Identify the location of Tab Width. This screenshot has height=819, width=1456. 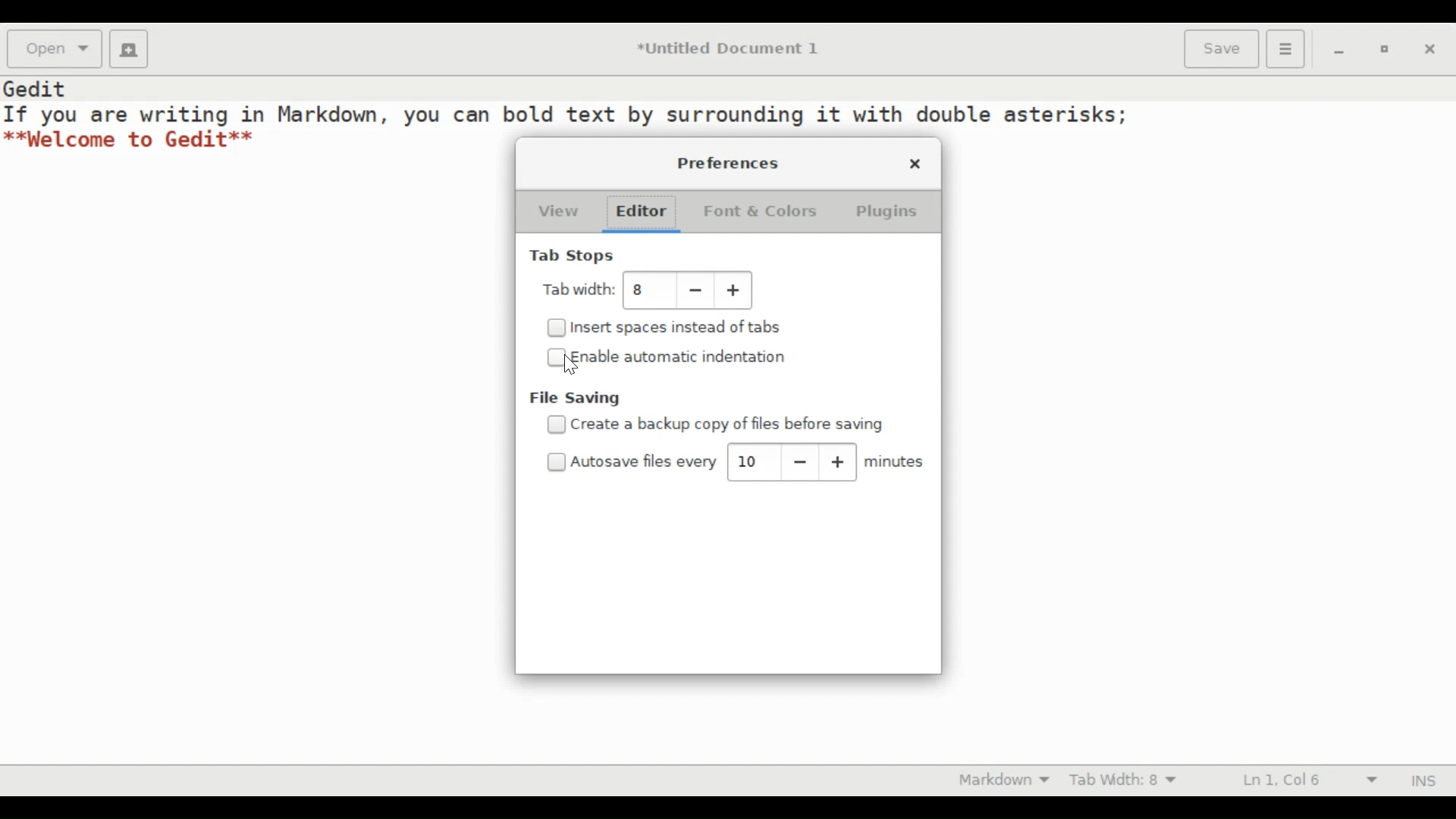
(1128, 780).